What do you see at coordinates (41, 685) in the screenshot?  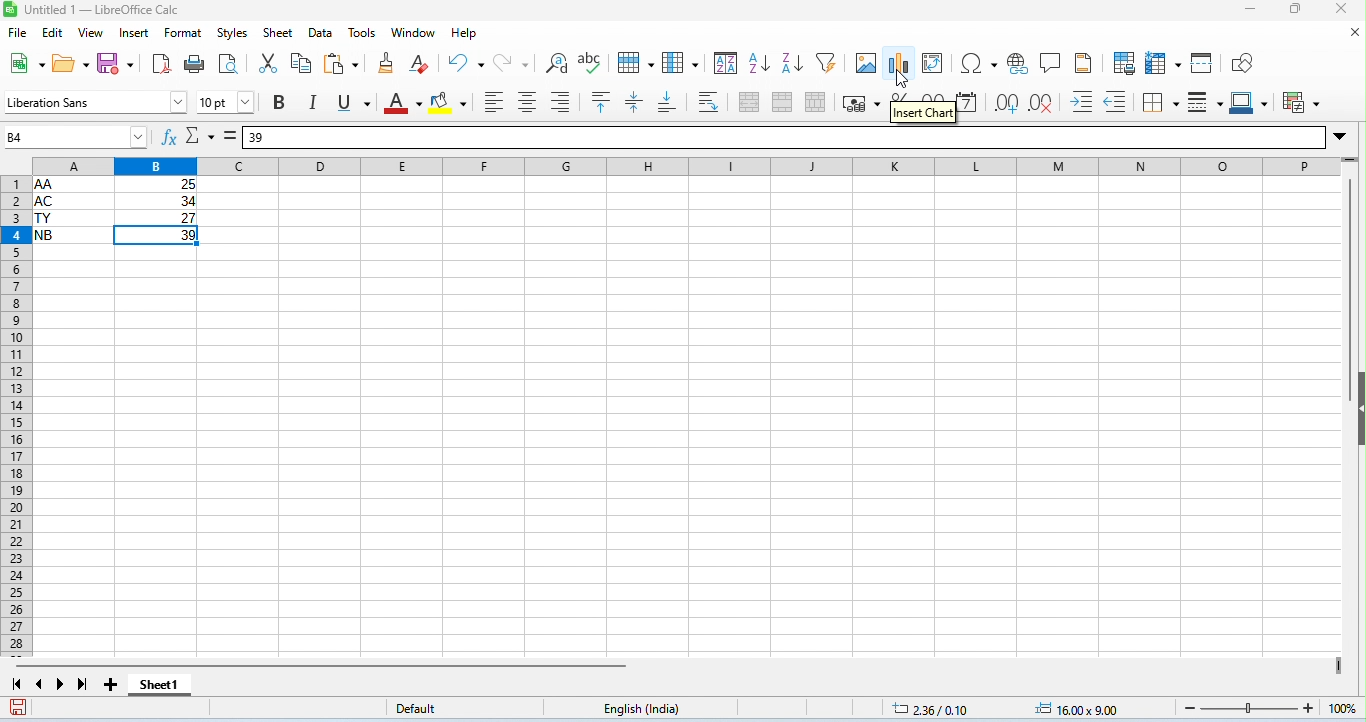 I see `previous sheet` at bounding box center [41, 685].